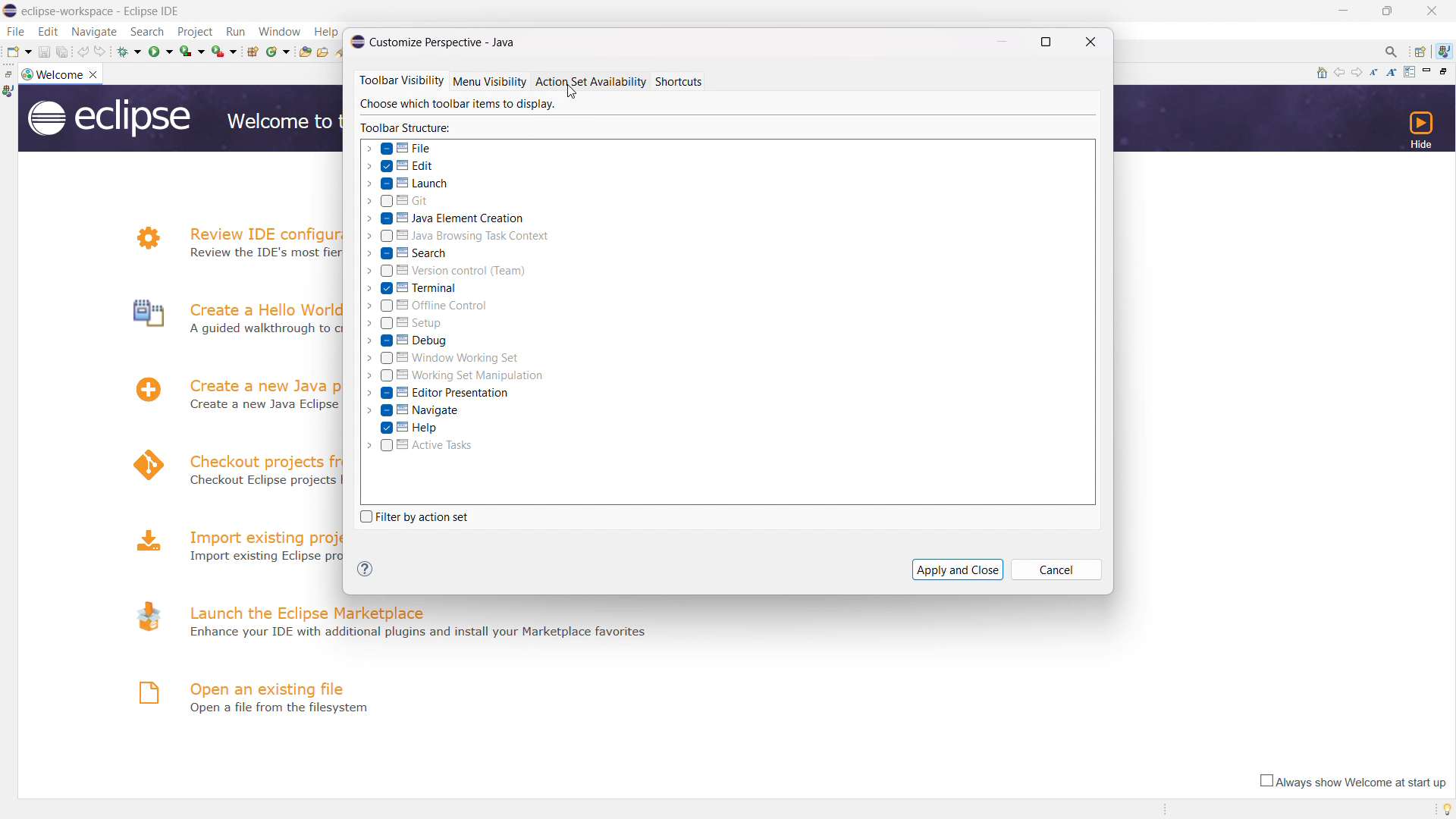 The image size is (1456, 819). What do you see at coordinates (418, 444) in the screenshot?
I see `active tasks` at bounding box center [418, 444].